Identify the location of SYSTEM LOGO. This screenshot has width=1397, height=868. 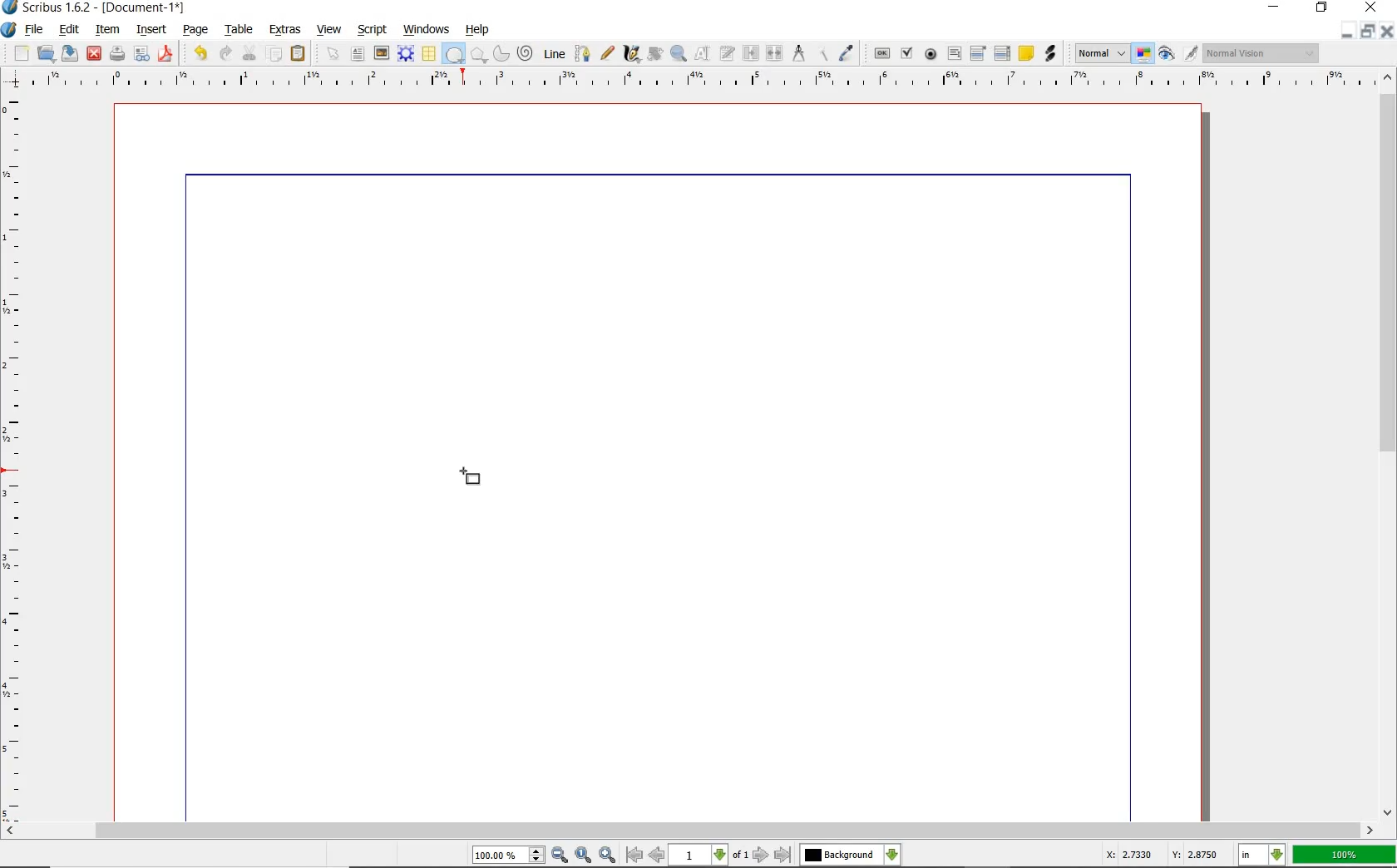
(9, 30).